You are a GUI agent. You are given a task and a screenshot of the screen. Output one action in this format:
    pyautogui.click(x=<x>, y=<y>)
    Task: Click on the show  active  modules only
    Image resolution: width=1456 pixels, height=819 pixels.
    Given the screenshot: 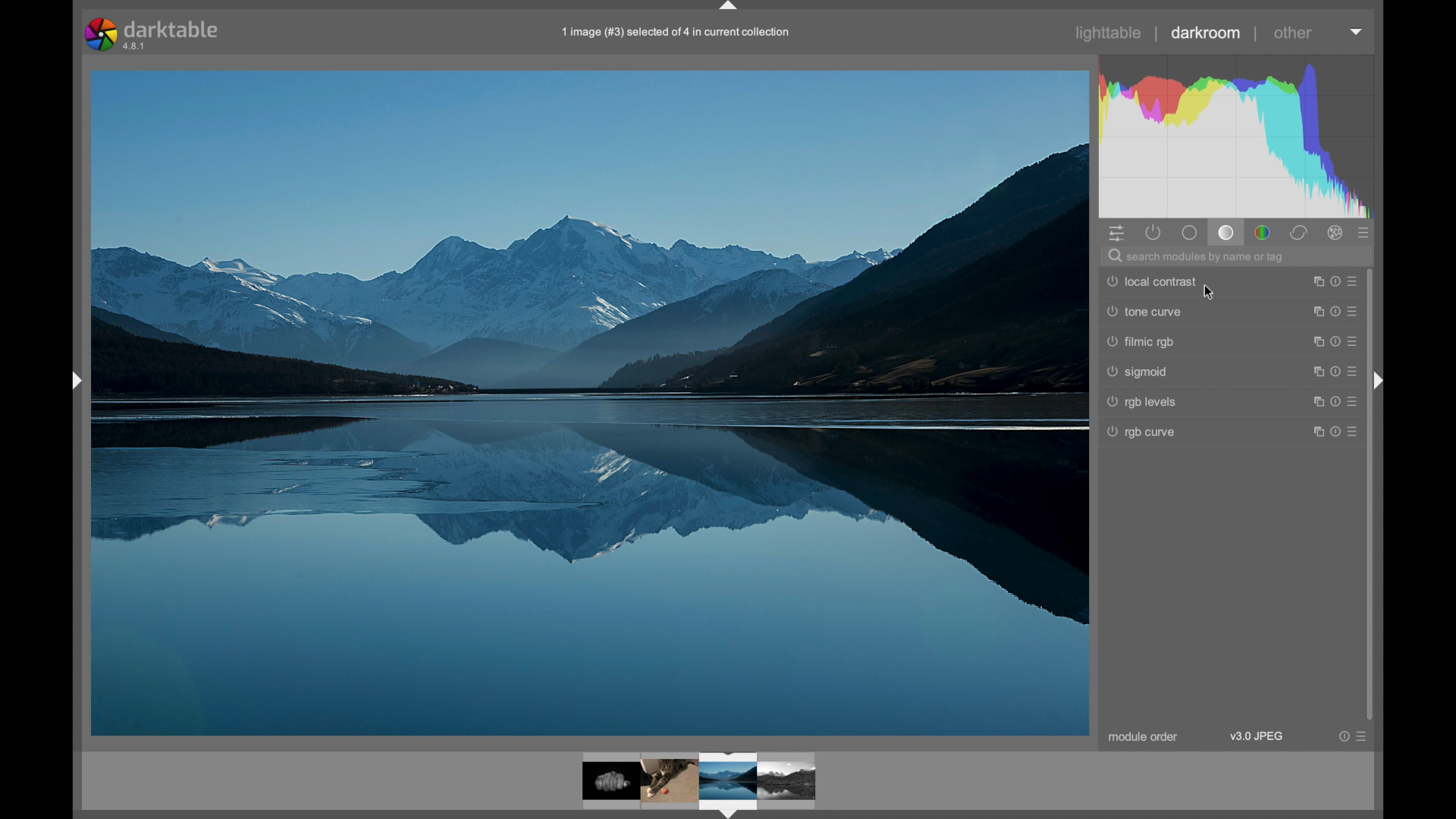 What is the action you would take?
    pyautogui.click(x=1154, y=233)
    